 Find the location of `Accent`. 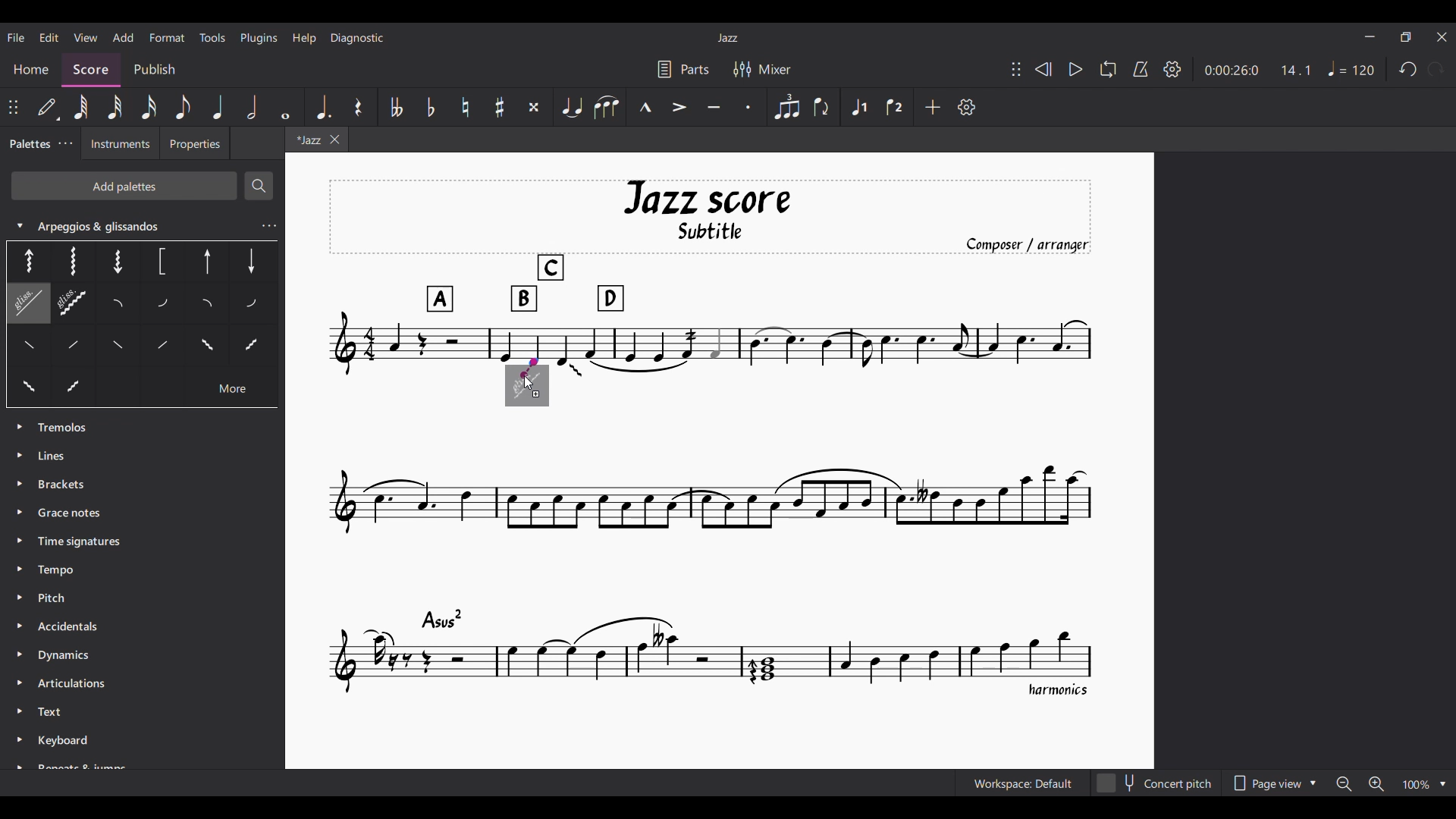

Accent is located at coordinates (680, 107).